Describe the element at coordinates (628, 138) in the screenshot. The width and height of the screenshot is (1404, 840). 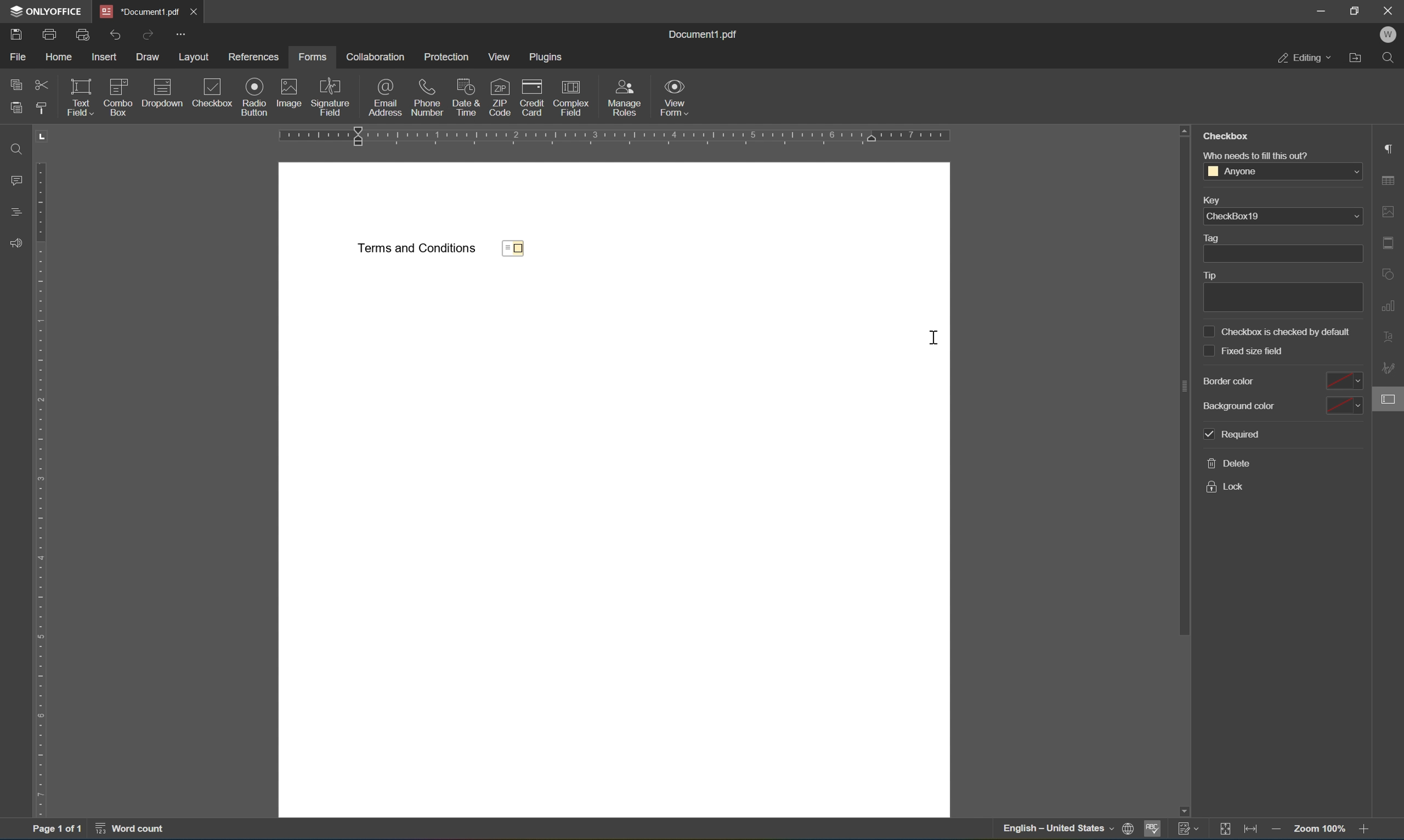
I see `ruler` at that location.